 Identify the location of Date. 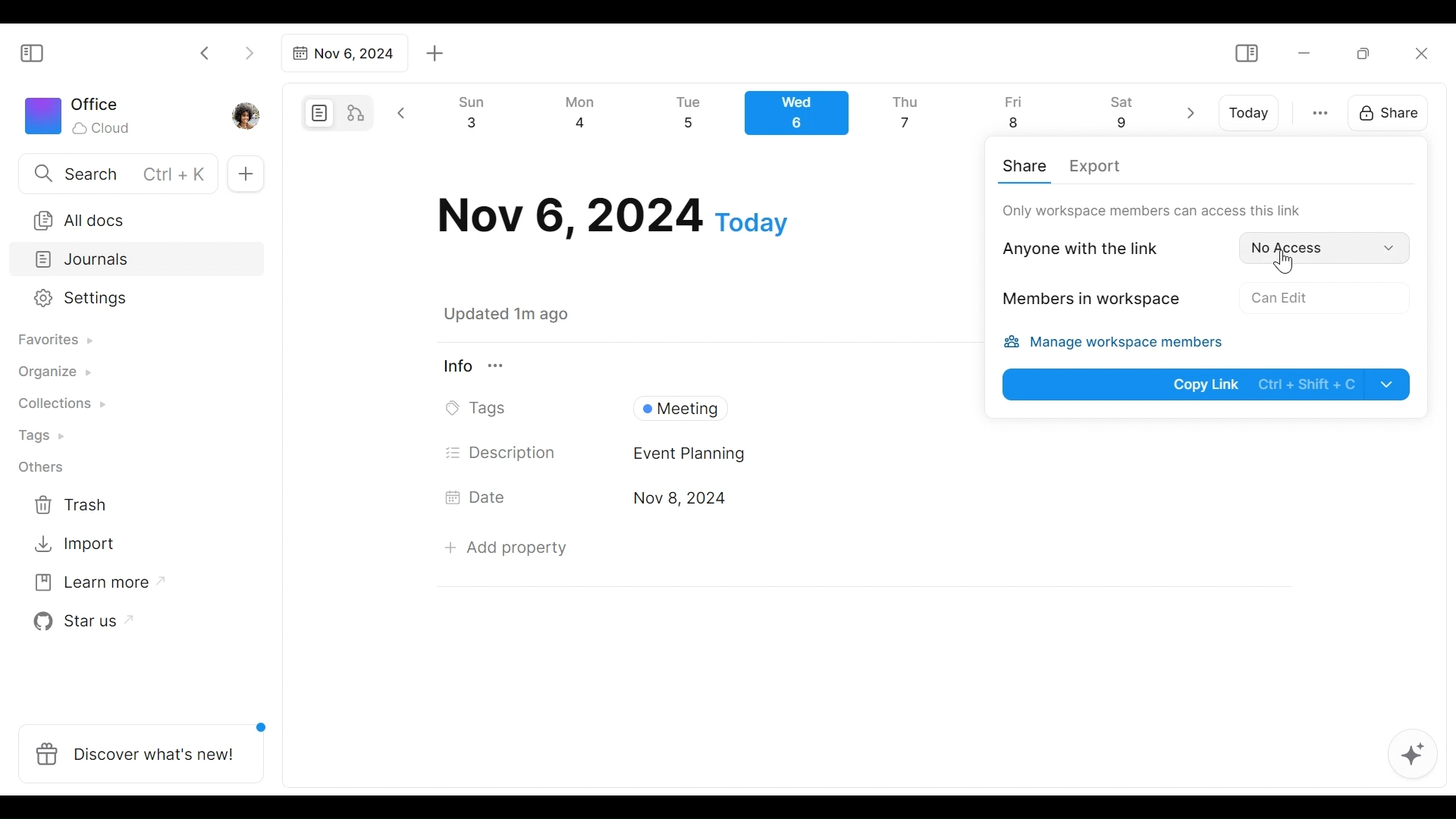
(481, 497).